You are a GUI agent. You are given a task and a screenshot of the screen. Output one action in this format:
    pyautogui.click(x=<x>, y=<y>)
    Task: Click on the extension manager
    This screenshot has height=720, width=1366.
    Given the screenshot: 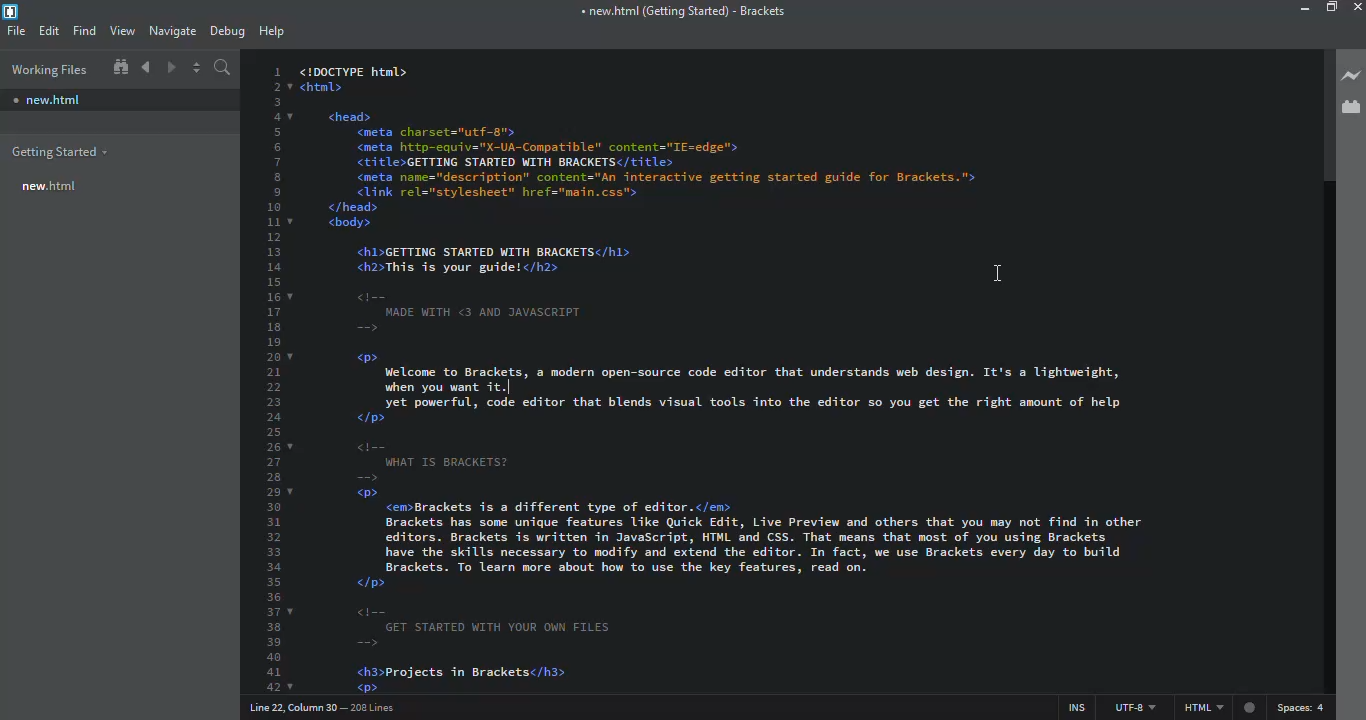 What is the action you would take?
    pyautogui.click(x=1352, y=106)
    